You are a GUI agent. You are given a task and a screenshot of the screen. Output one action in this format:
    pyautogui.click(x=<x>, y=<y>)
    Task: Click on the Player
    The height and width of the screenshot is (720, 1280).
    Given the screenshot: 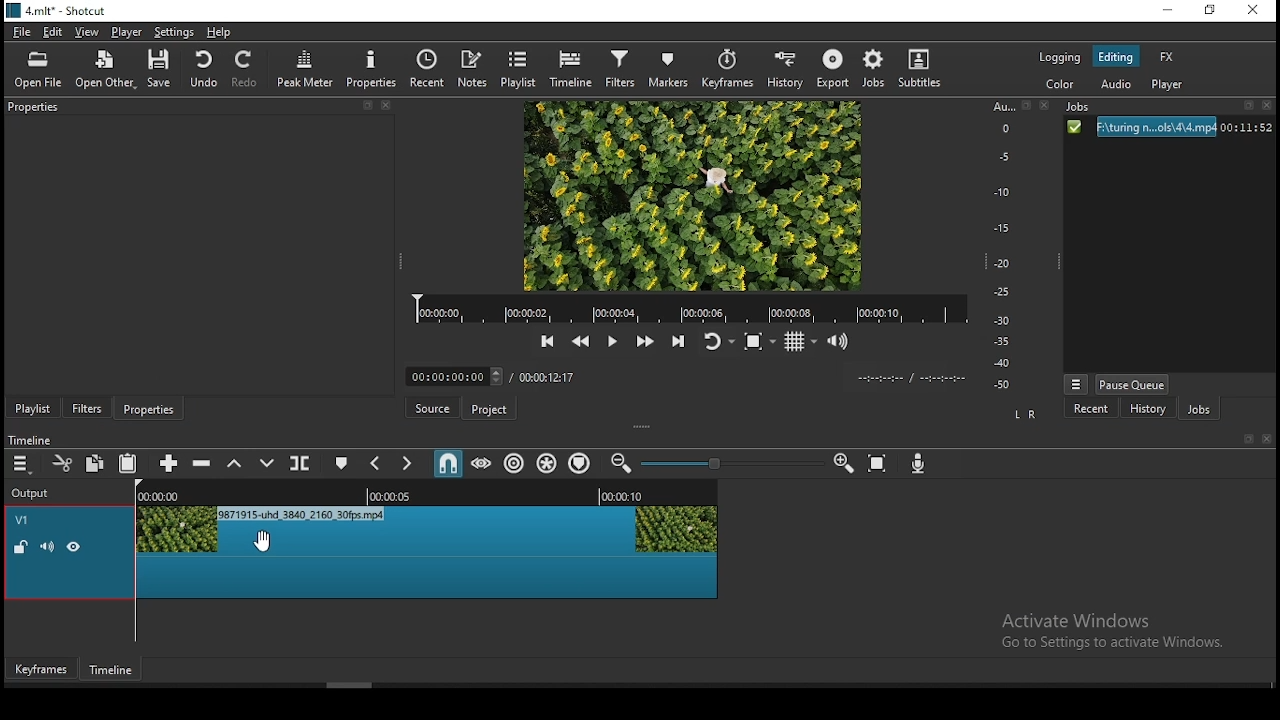 What is the action you would take?
    pyautogui.click(x=691, y=309)
    